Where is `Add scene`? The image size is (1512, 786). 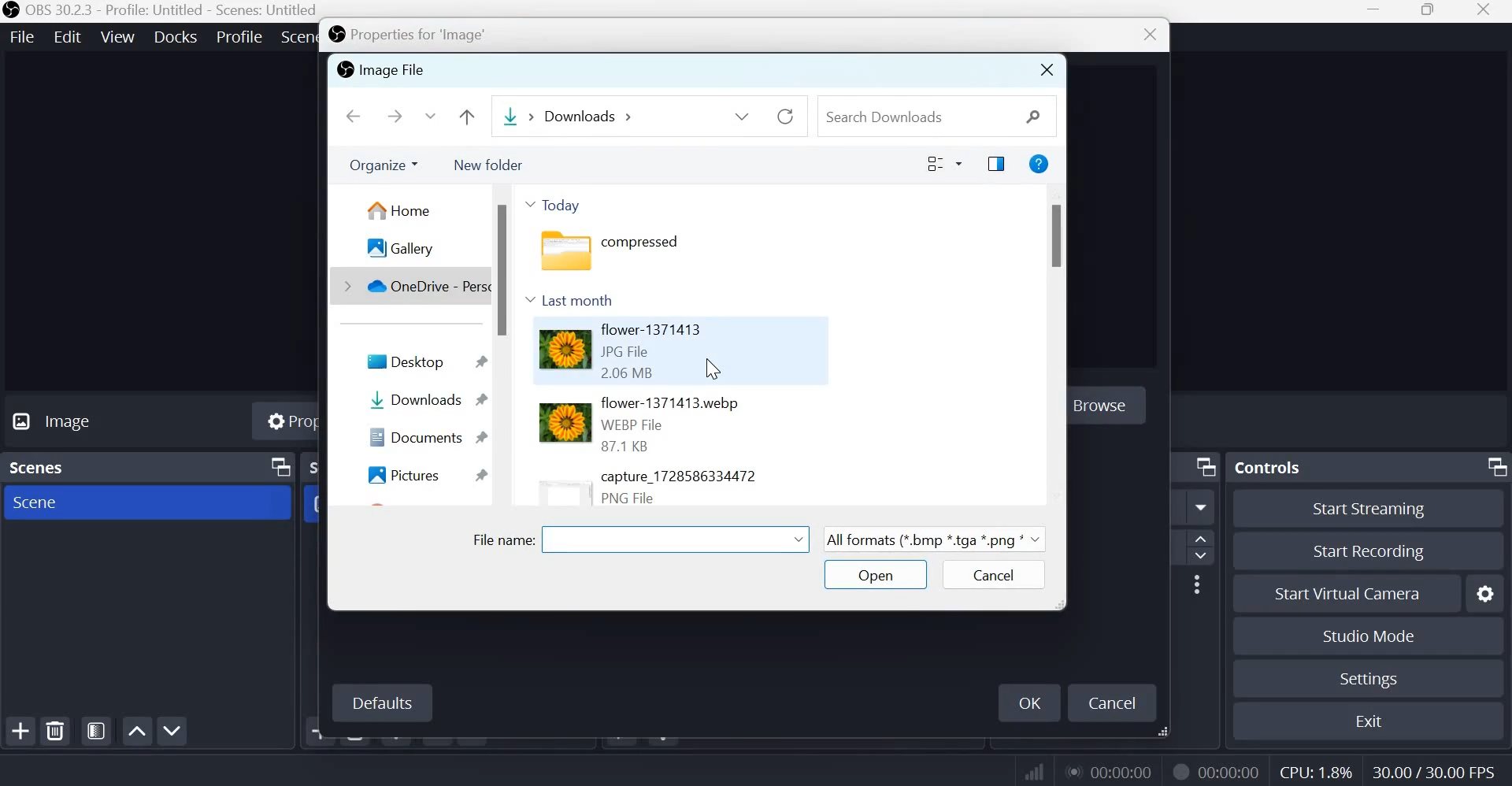
Add scene is located at coordinates (24, 730).